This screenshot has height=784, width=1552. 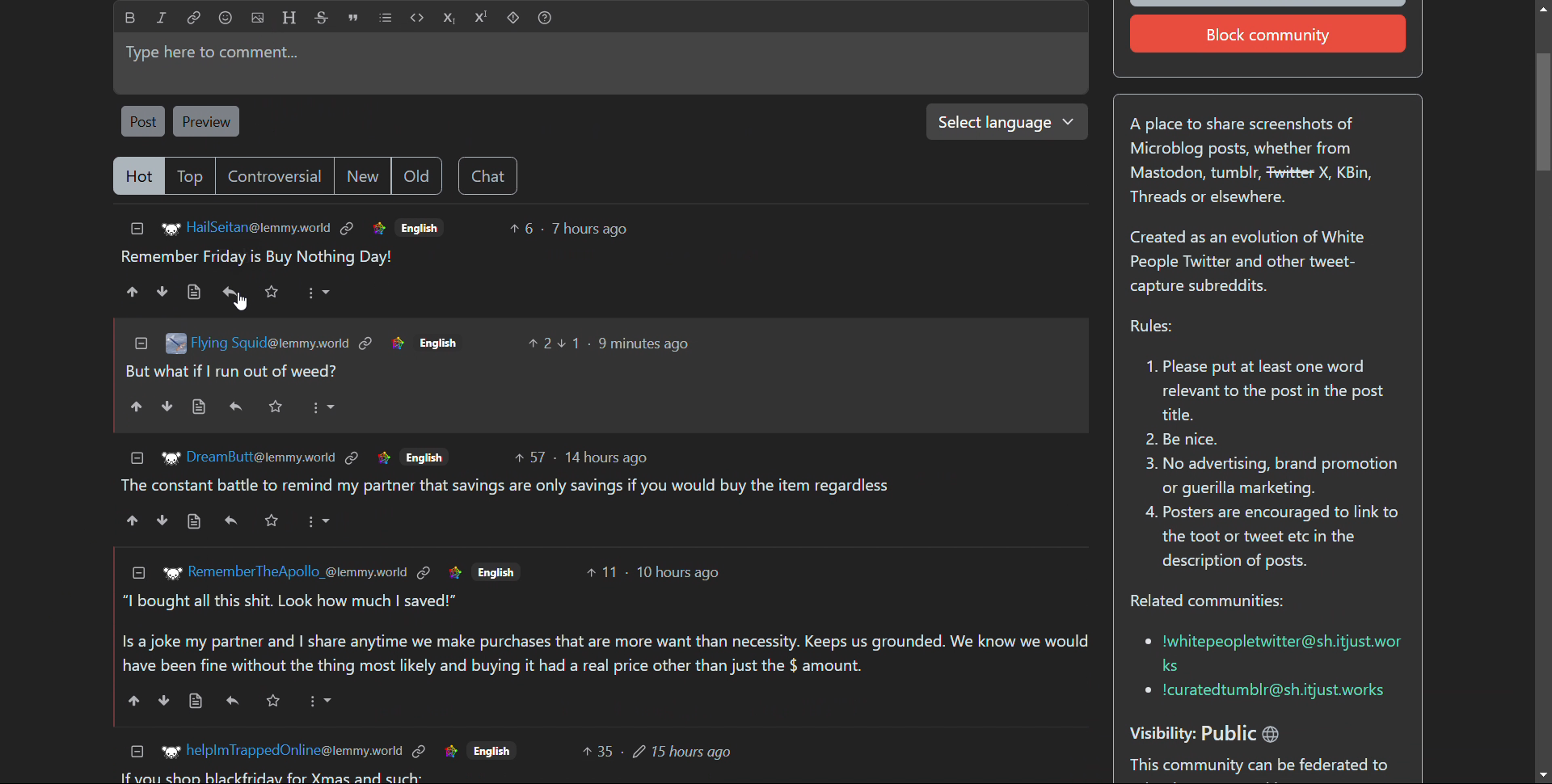 I want to click on image, so click(x=167, y=230).